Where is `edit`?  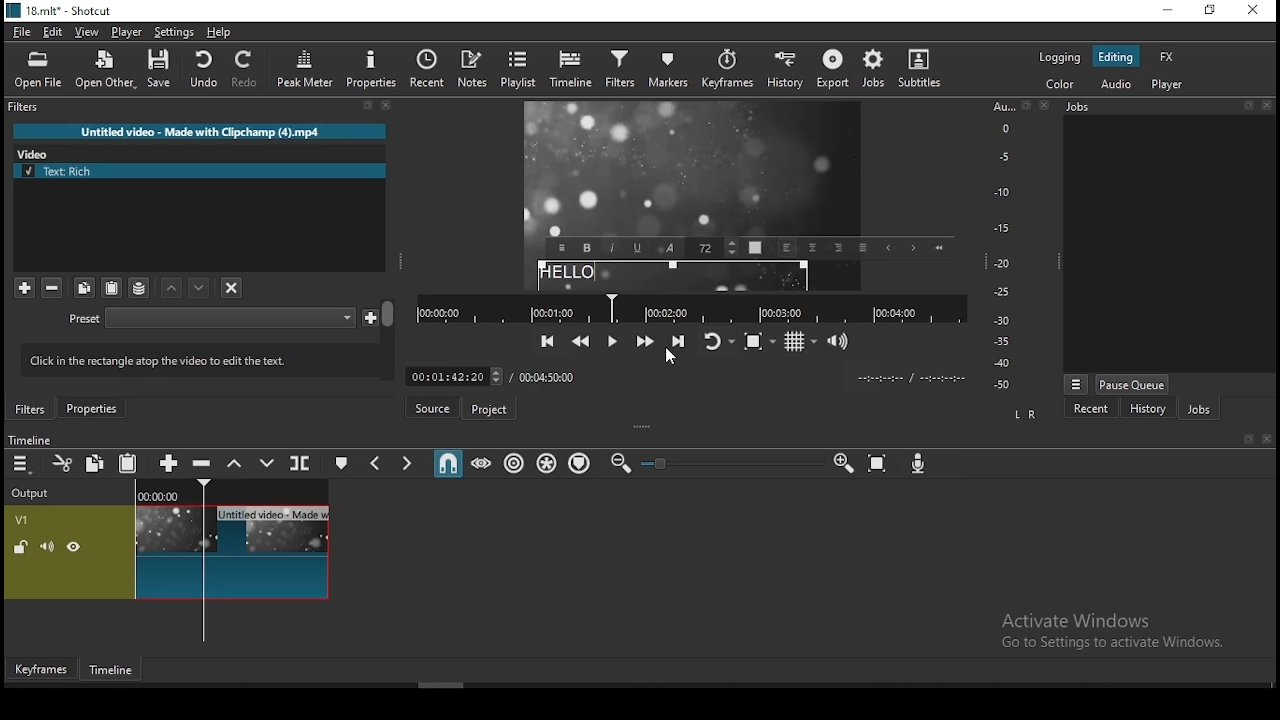 edit is located at coordinates (55, 33).